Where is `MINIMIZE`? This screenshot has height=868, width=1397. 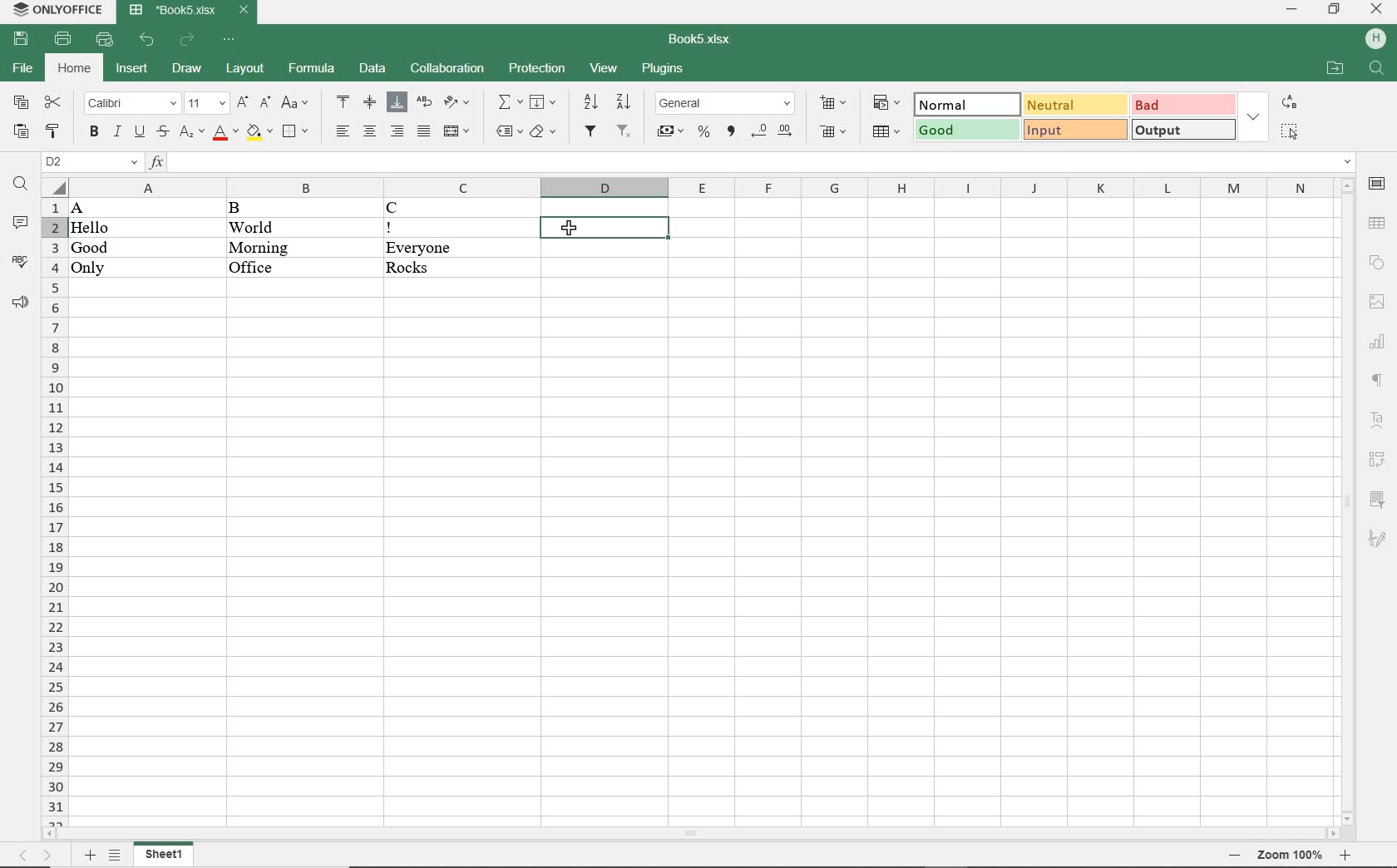 MINIMIZE is located at coordinates (1291, 10).